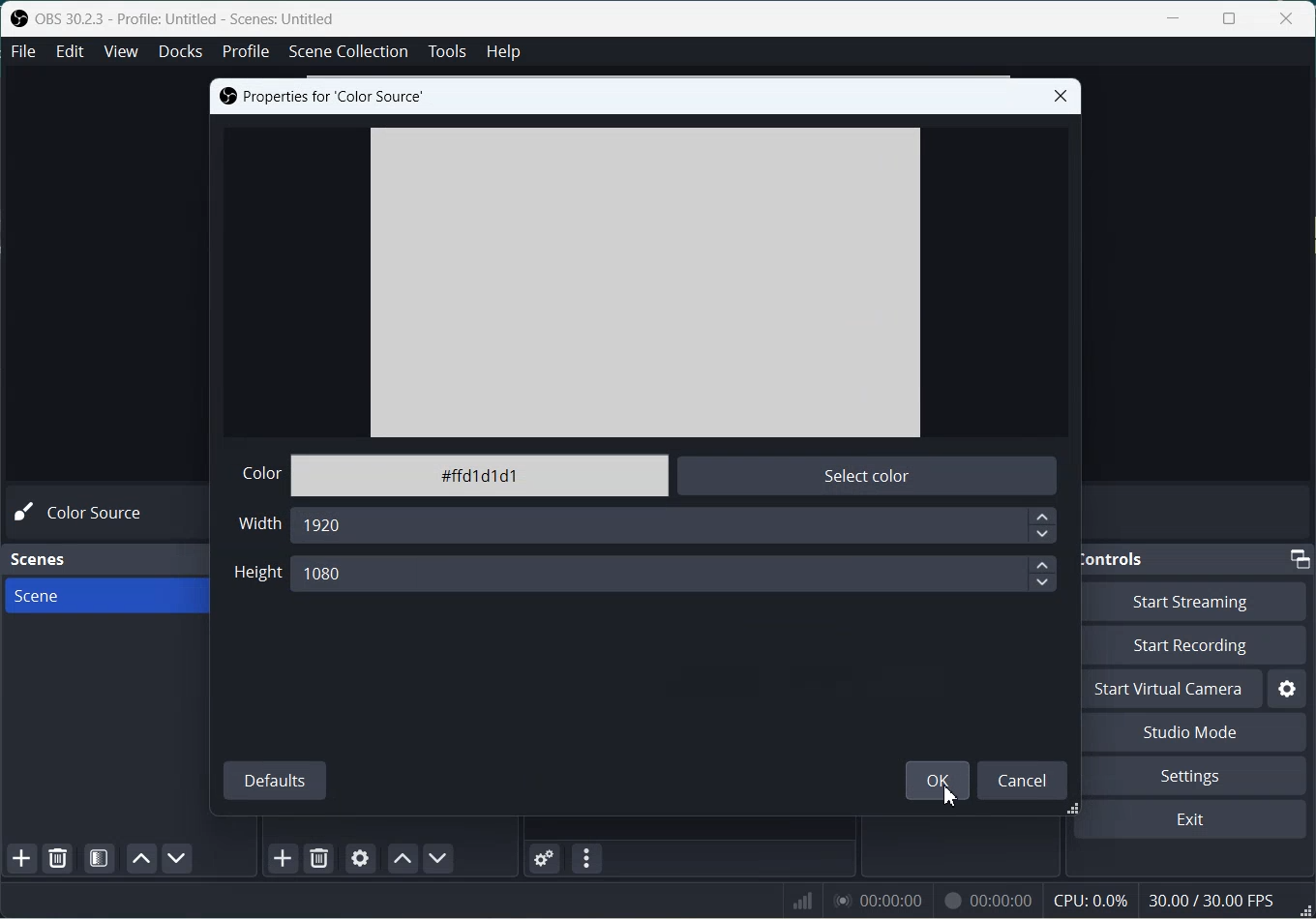 The height and width of the screenshot is (919, 1316). Describe the element at coordinates (1213, 900) in the screenshot. I see `30.00 / 30.00 FPS` at that location.